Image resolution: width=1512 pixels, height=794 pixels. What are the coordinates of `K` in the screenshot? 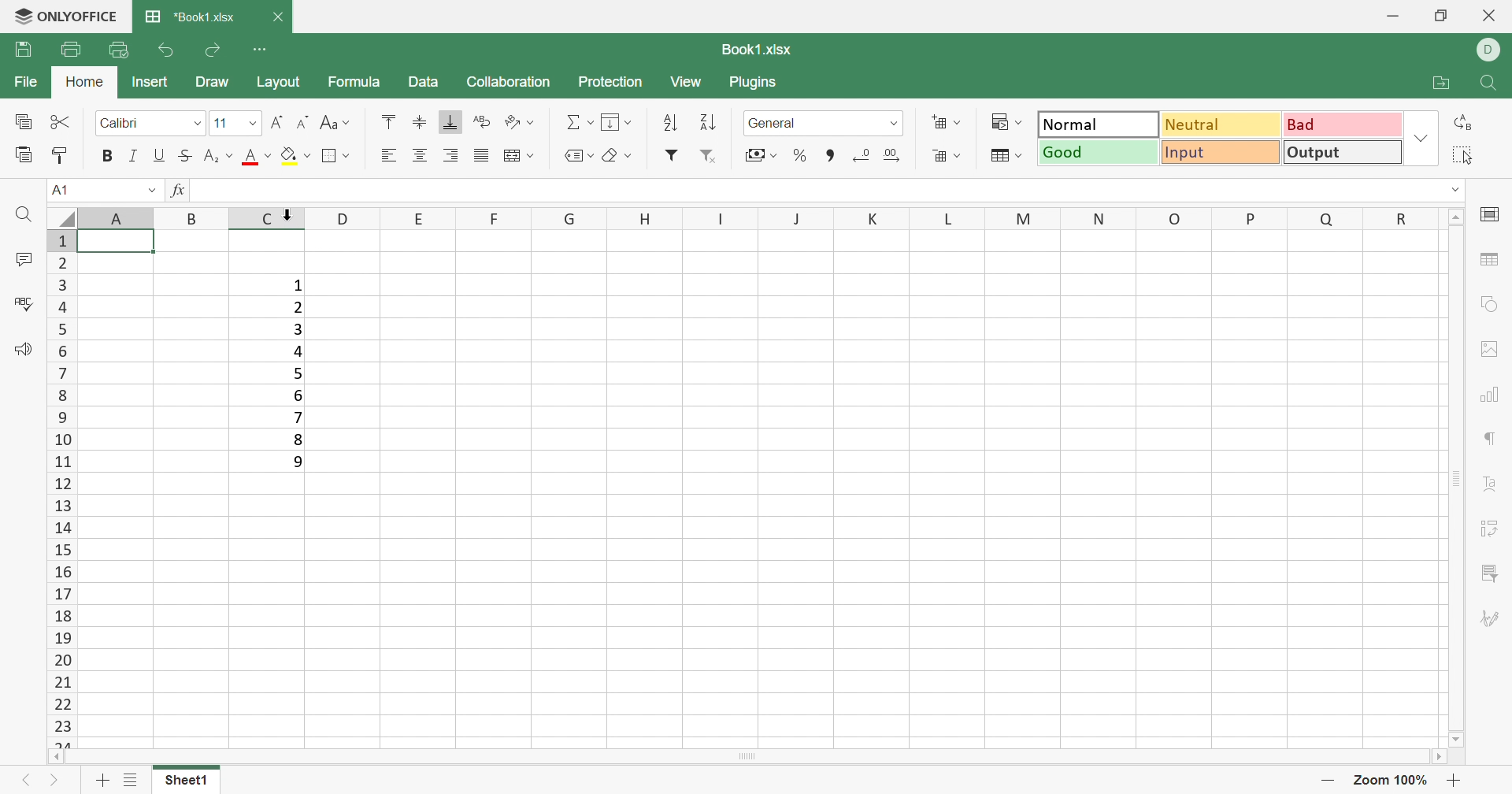 It's located at (873, 218).